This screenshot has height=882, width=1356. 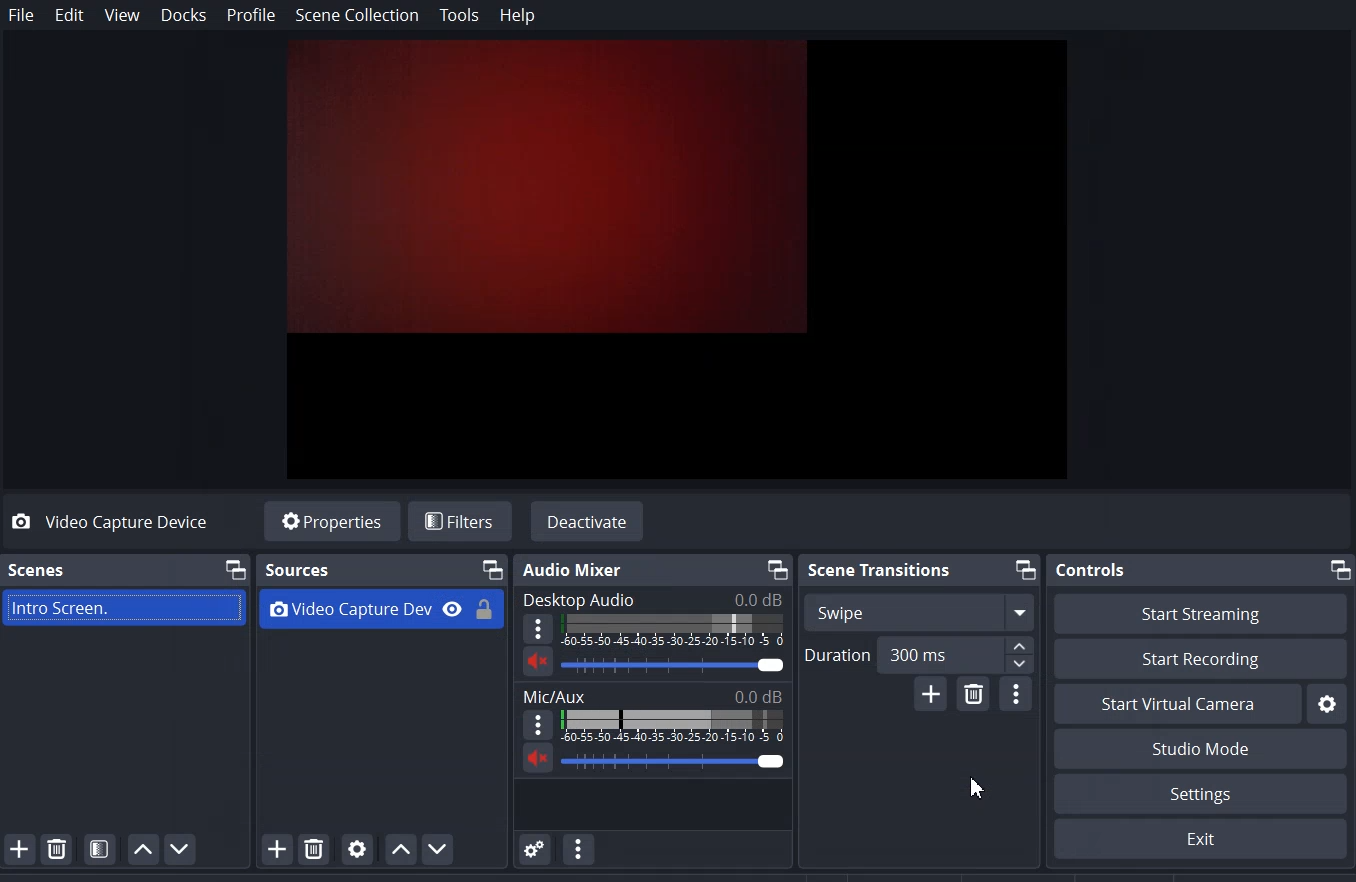 What do you see at coordinates (1017, 694) in the screenshot?
I see `Transition Properties` at bounding box center [1017, 694].